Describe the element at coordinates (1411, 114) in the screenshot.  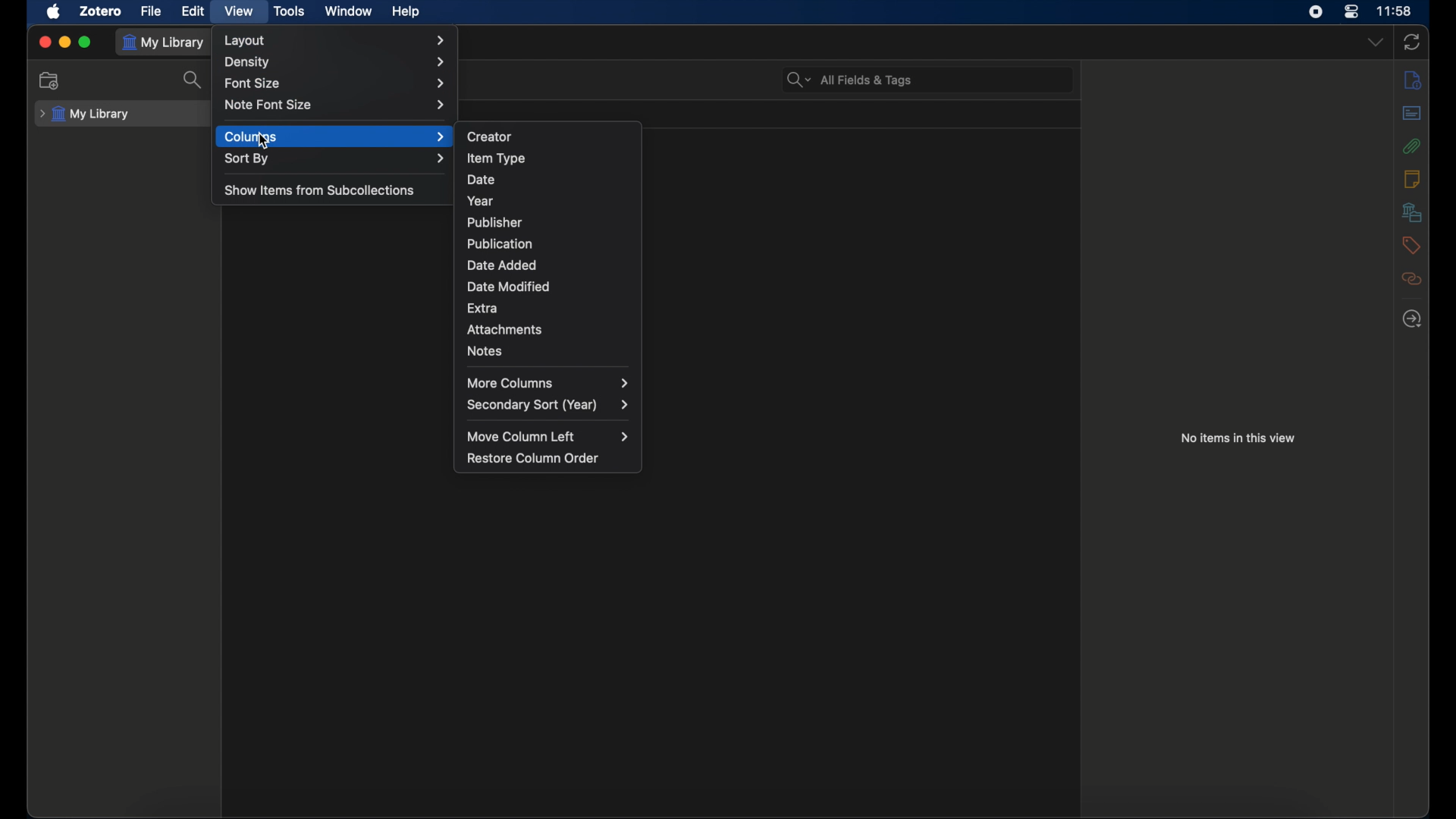
I see `abstract` at that location.